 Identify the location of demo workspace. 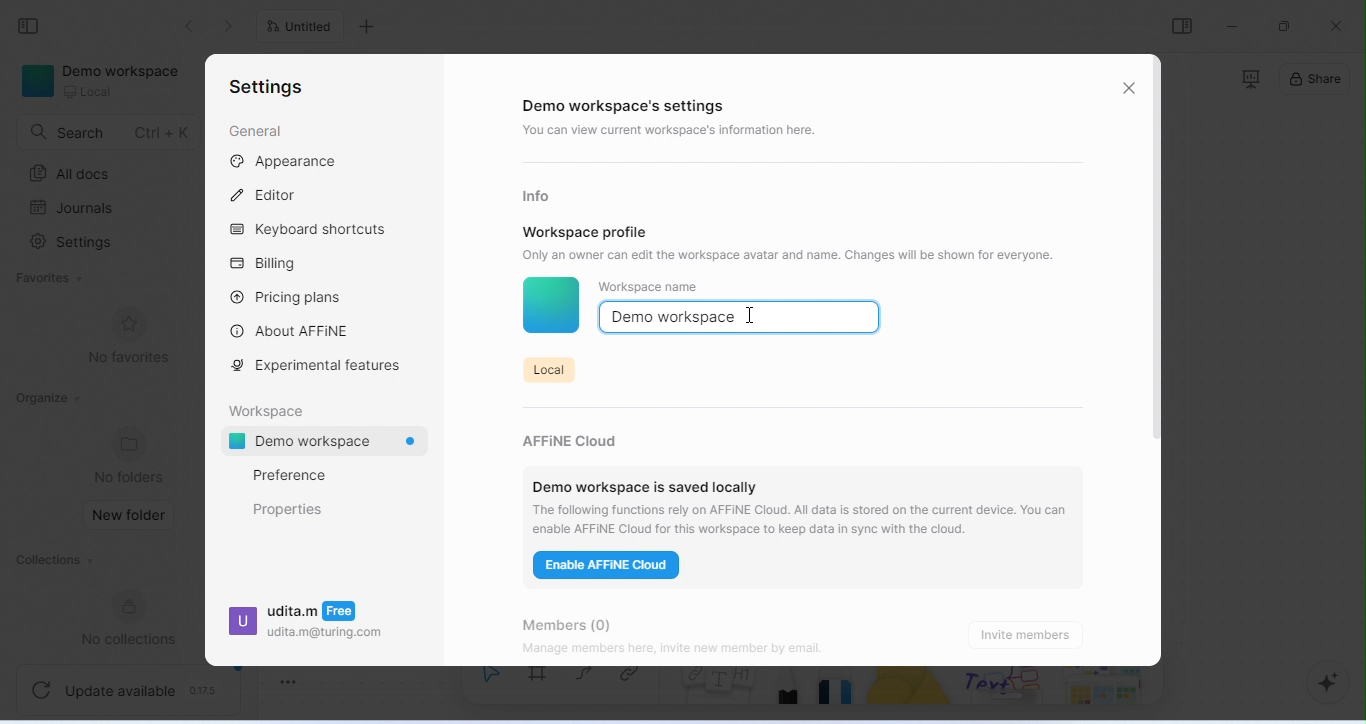
(105, 83).